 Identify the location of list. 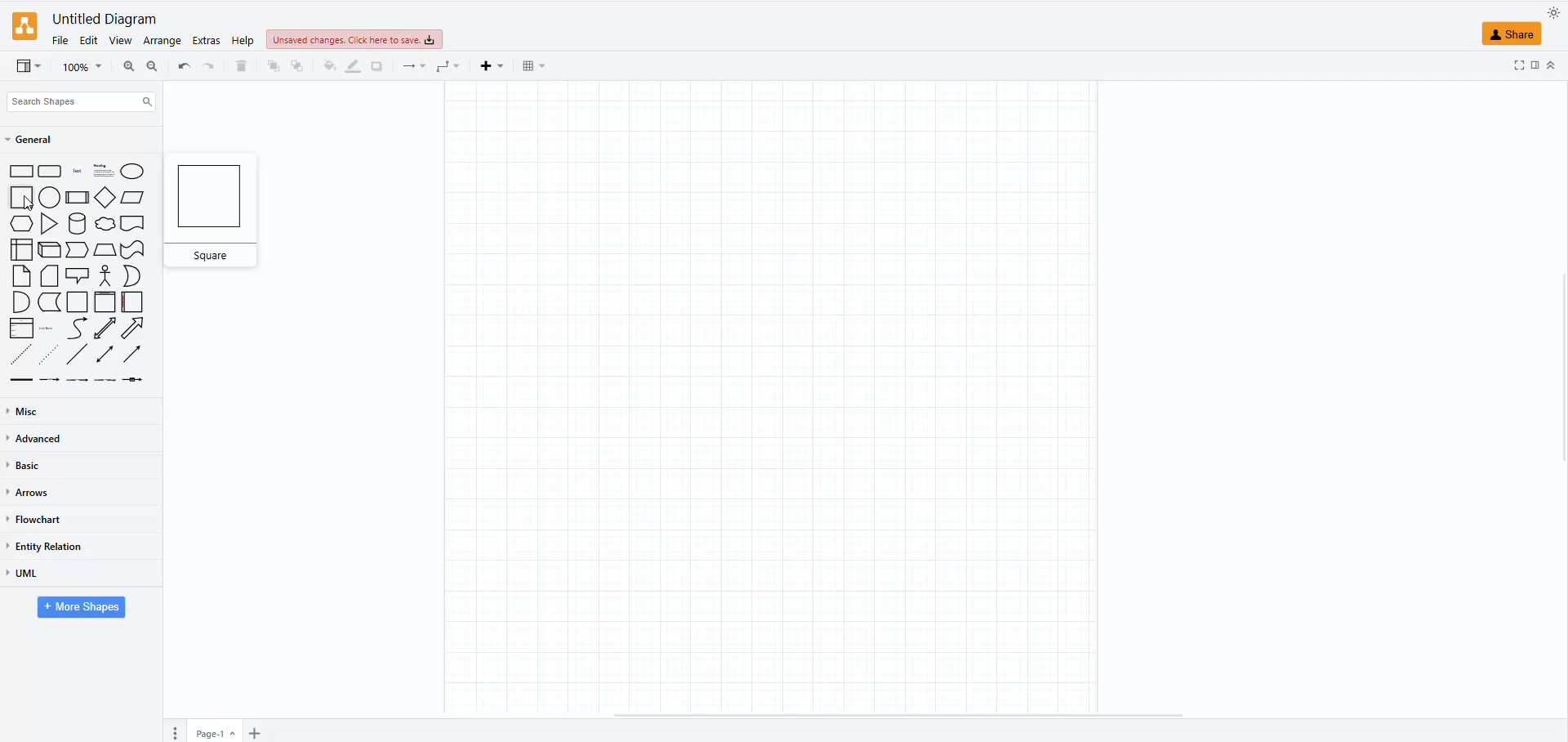
(22, 329).